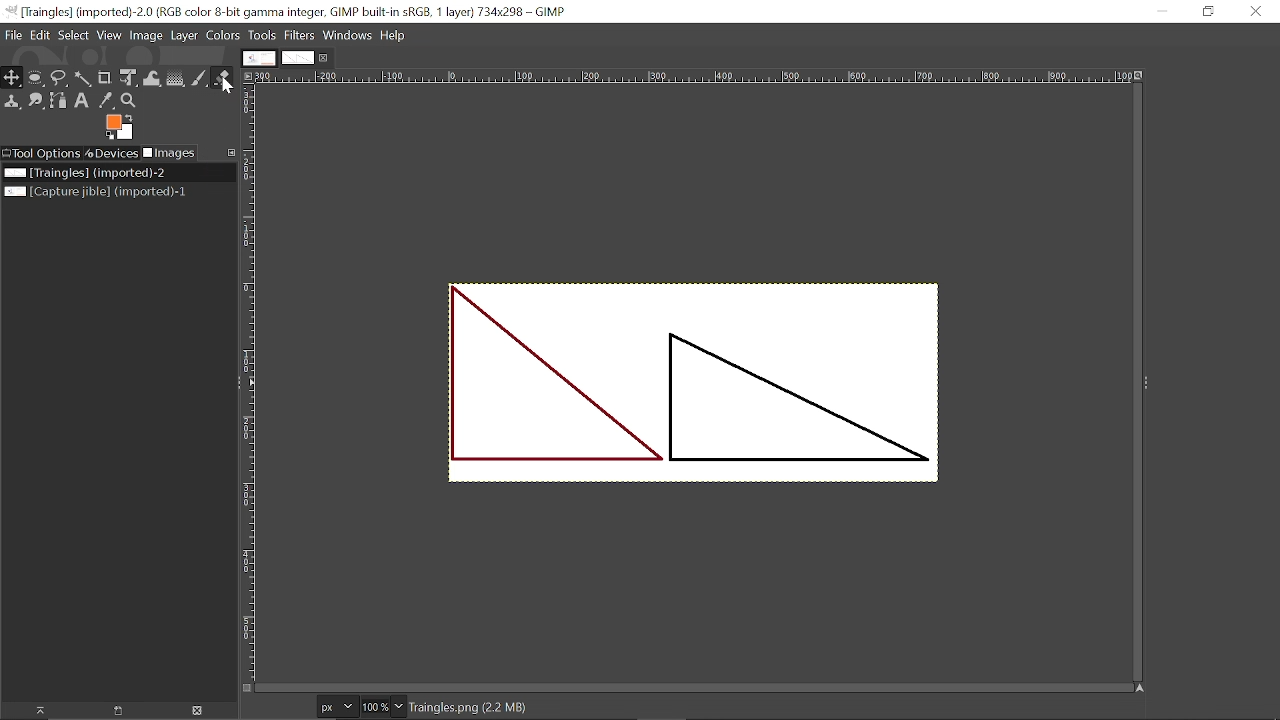 The width and height of the screenshot is (1280, 720). Describe the element at coordinates (169, 153) in the screenshot. I see `Images` at that location.